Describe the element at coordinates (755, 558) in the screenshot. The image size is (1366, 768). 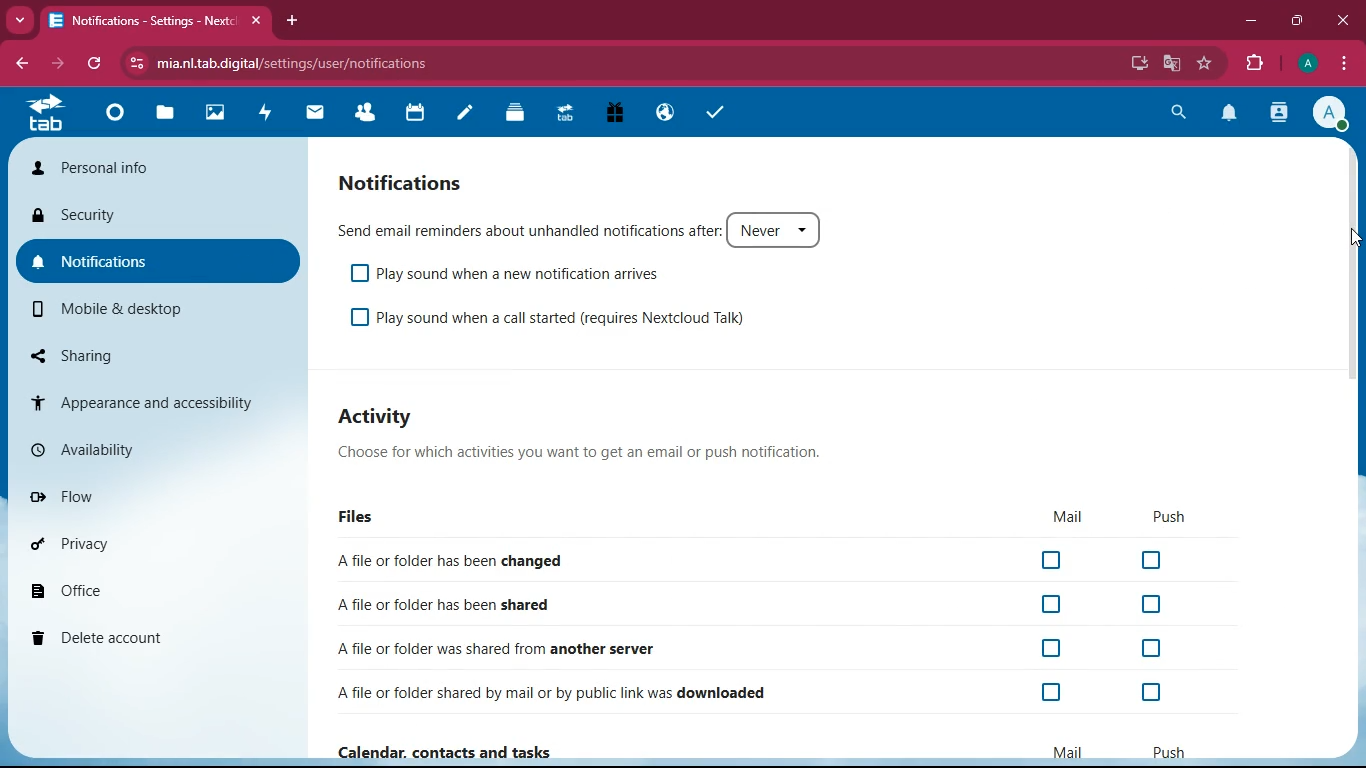
I see `A file or folder has been changed` at that location.